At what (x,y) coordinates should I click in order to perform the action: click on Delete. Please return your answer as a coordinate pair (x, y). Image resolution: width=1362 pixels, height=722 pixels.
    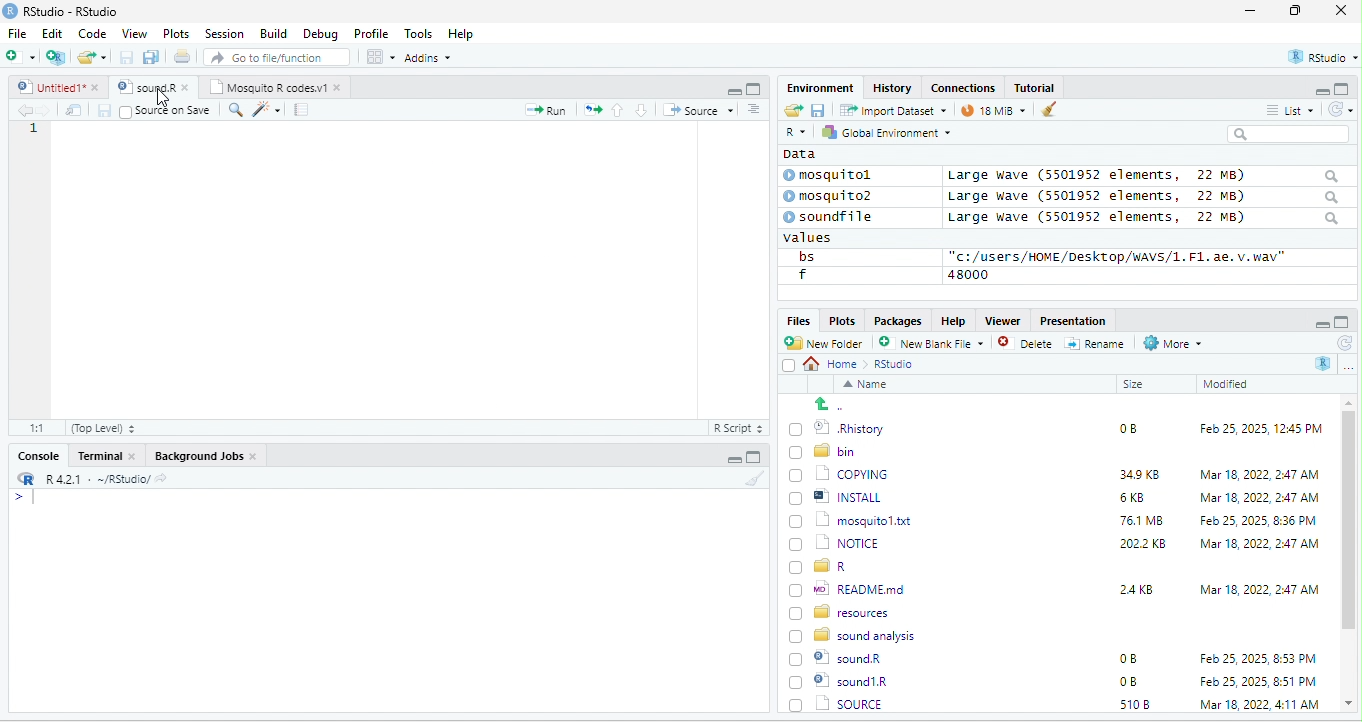
    Looking at the image, I should click on (1028, 344).